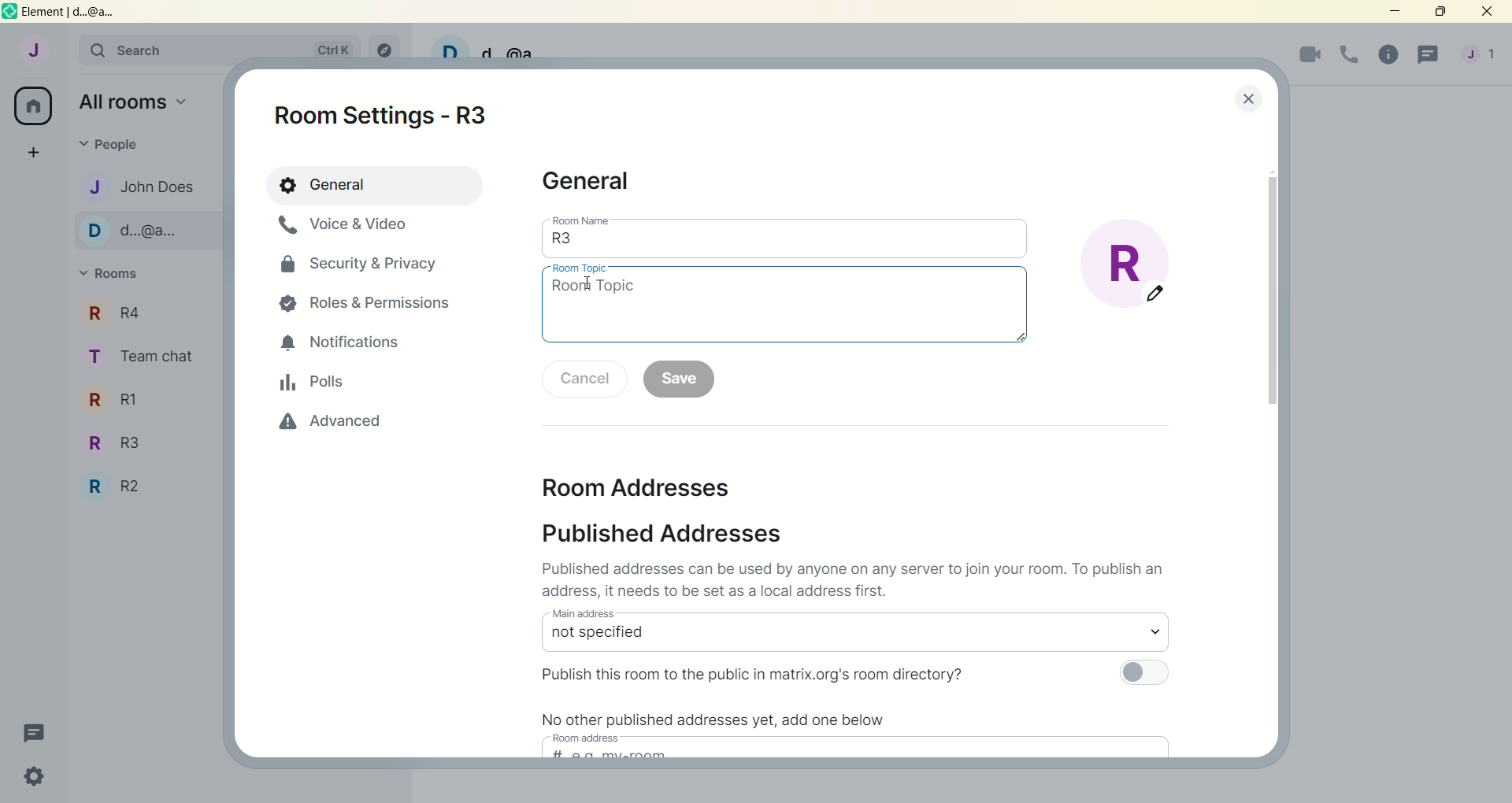  What do you see at coordinates (1429, 57) in the screenshot?
I see `threads` at bounding box center [1429, 57].